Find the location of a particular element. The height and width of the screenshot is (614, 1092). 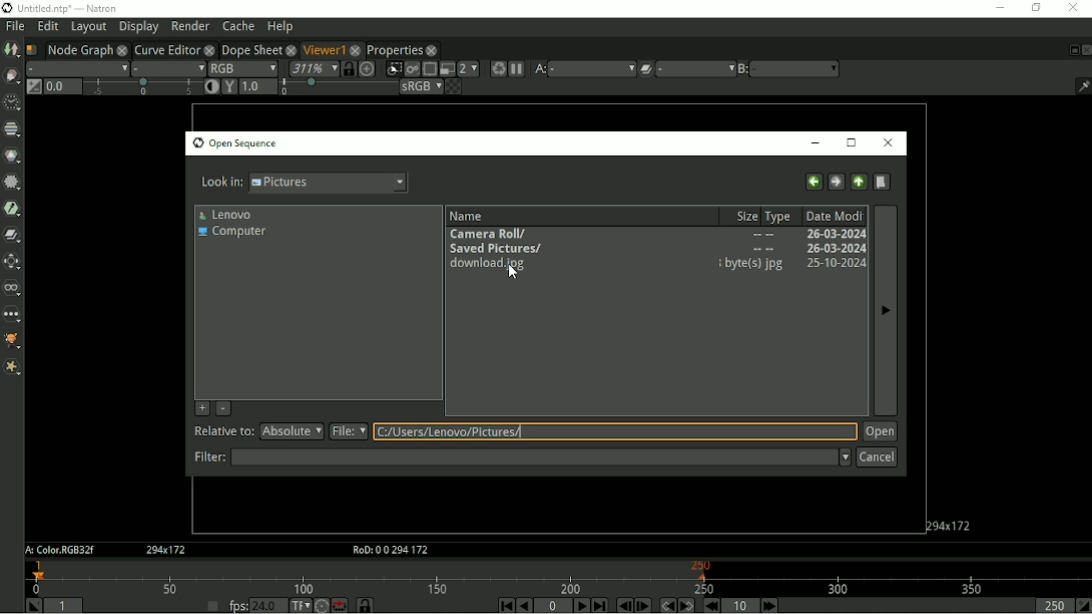

Operation applied between A and B is located at coordinates (646, 68).